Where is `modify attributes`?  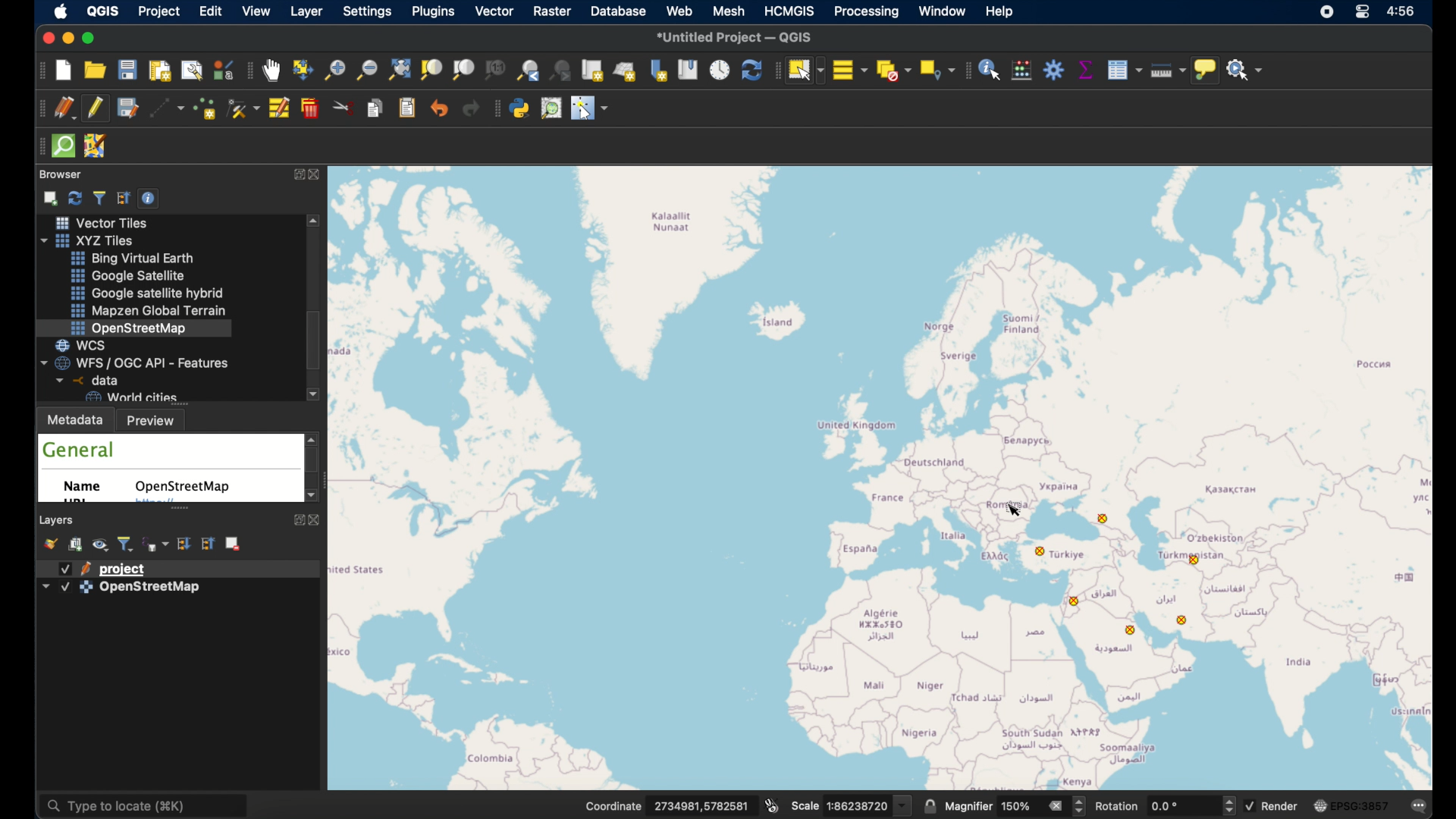
modify attributes is located at coordinates (281, 109).